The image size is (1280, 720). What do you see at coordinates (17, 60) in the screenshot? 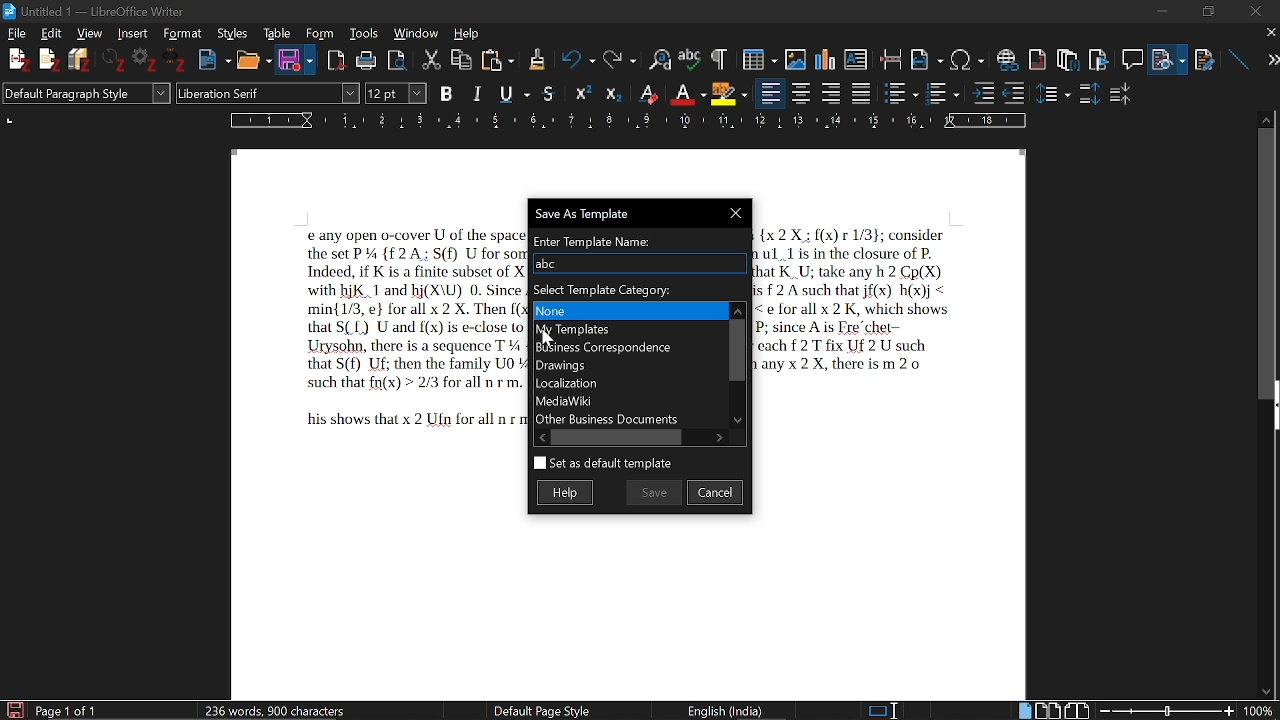
I see `New File` at bounding box center [17, 60].